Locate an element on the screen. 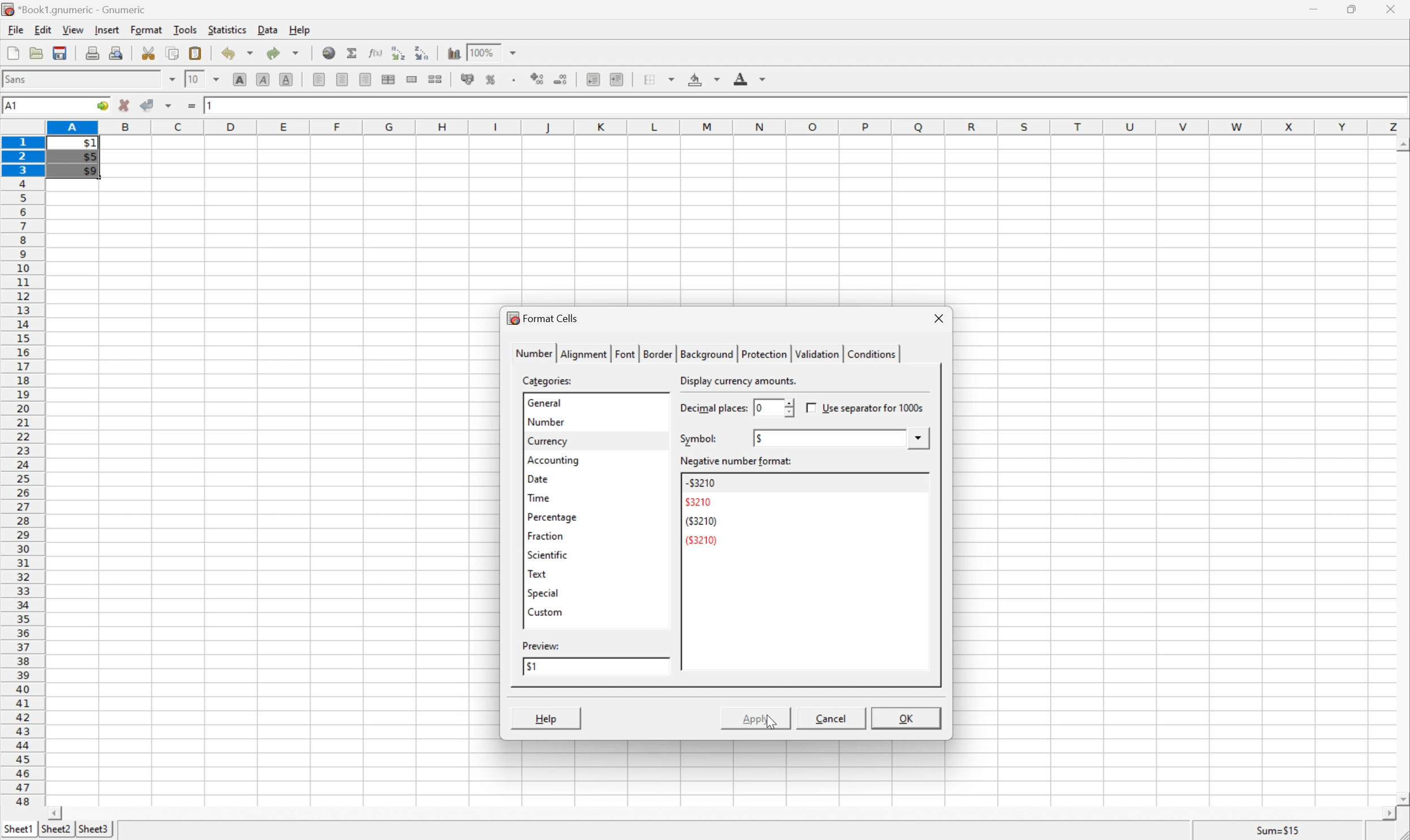  paste is located at coordinates (198, 53).